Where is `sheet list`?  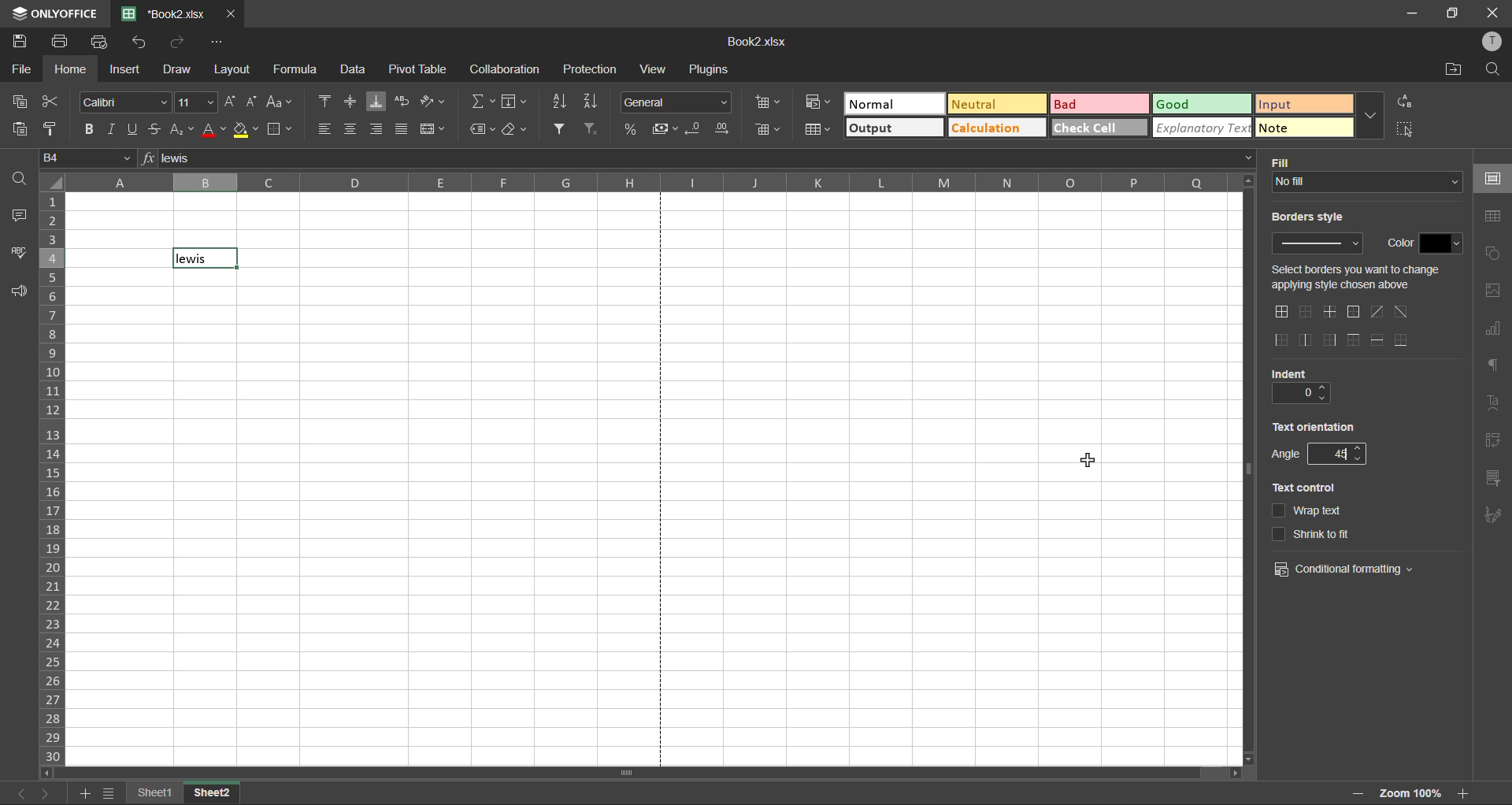
sheet list is located at coordinates (109, 793).